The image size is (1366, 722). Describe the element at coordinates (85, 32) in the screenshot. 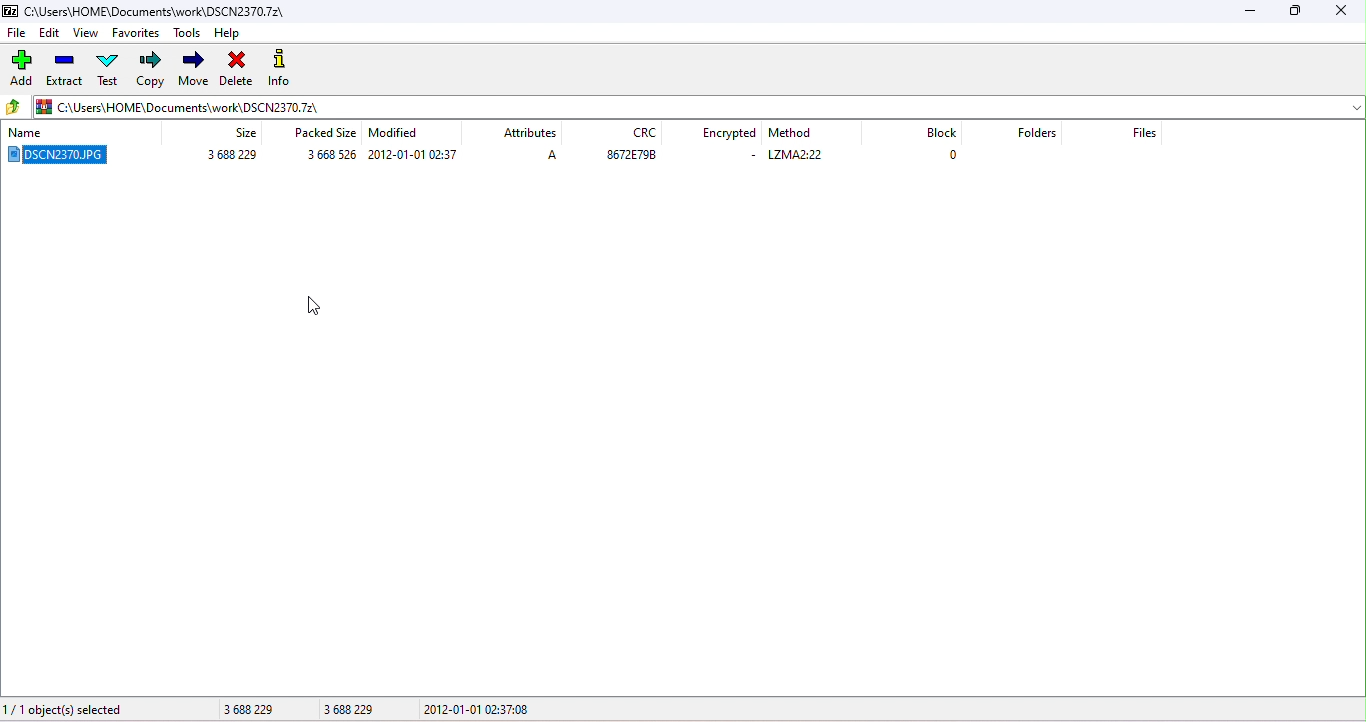

I see `view` at that location.